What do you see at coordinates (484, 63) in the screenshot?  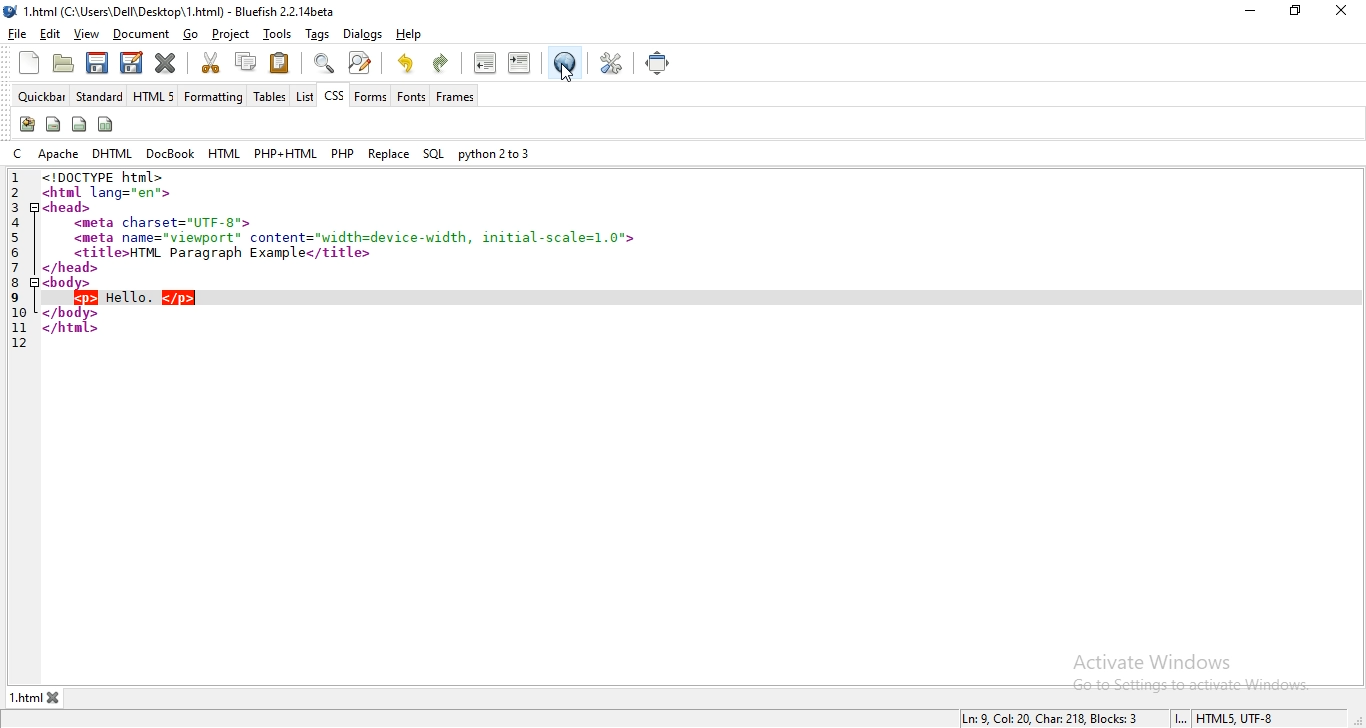 I see `unindent` at bounding box center [484, 63].